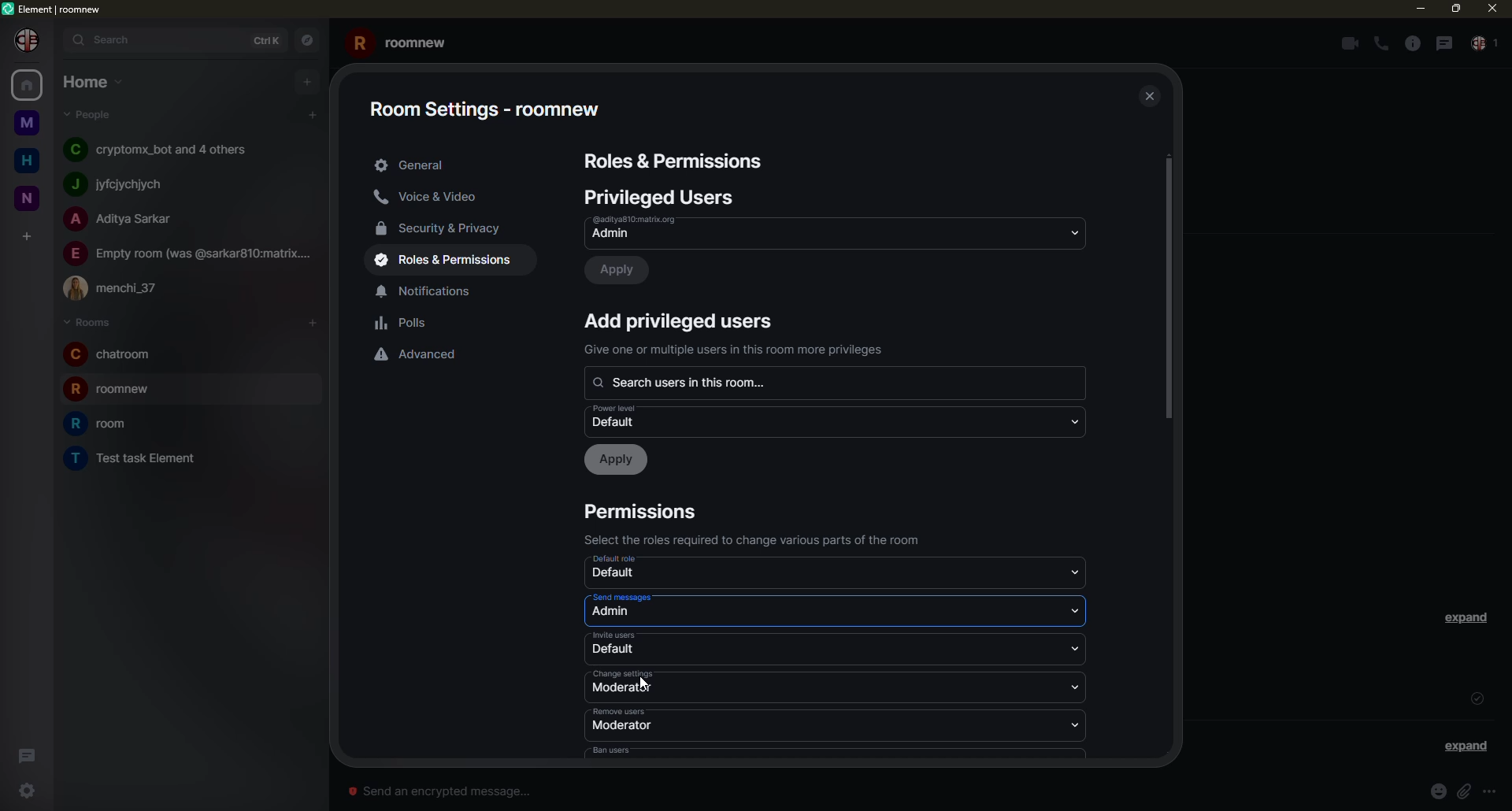 This screenshot has height=811, width=1512. What do you see at coordinates (135, 457) in the screenshot?
I see `room` at bounding box center [135, 457].